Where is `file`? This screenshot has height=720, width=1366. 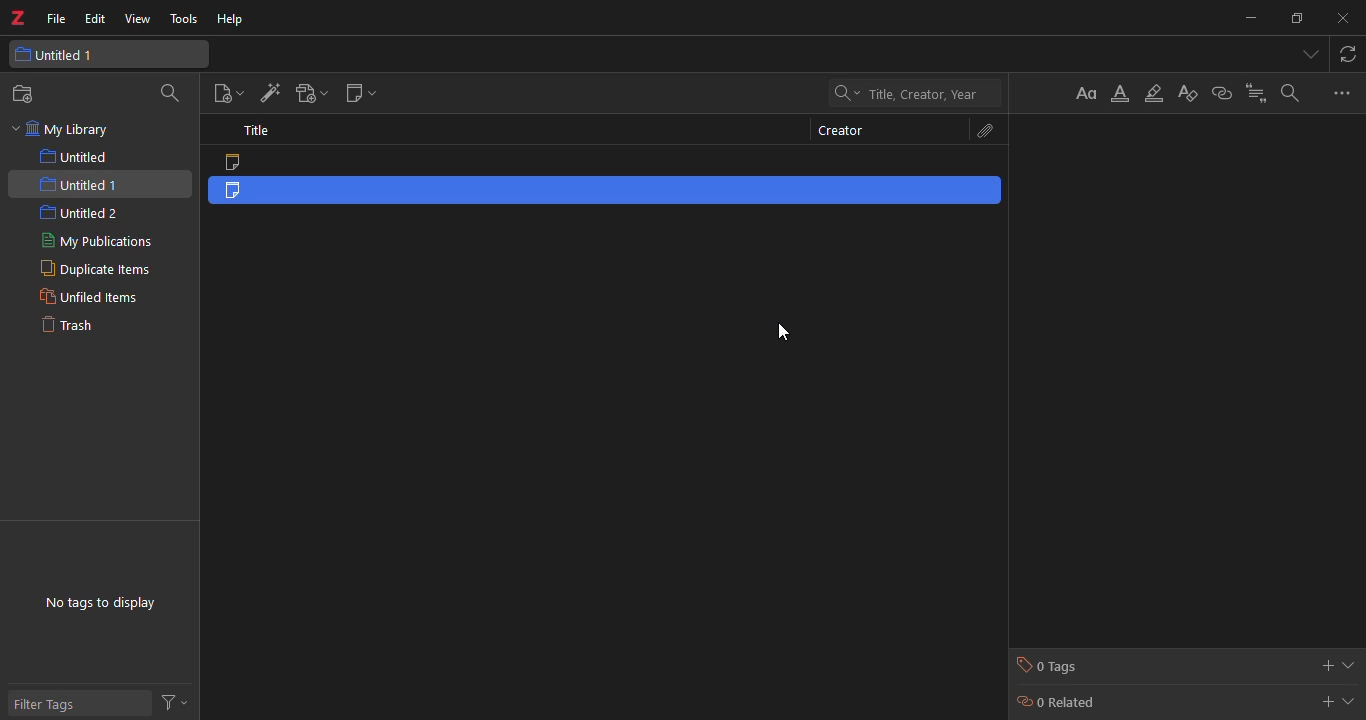 file is located at coordinates (54, 21).